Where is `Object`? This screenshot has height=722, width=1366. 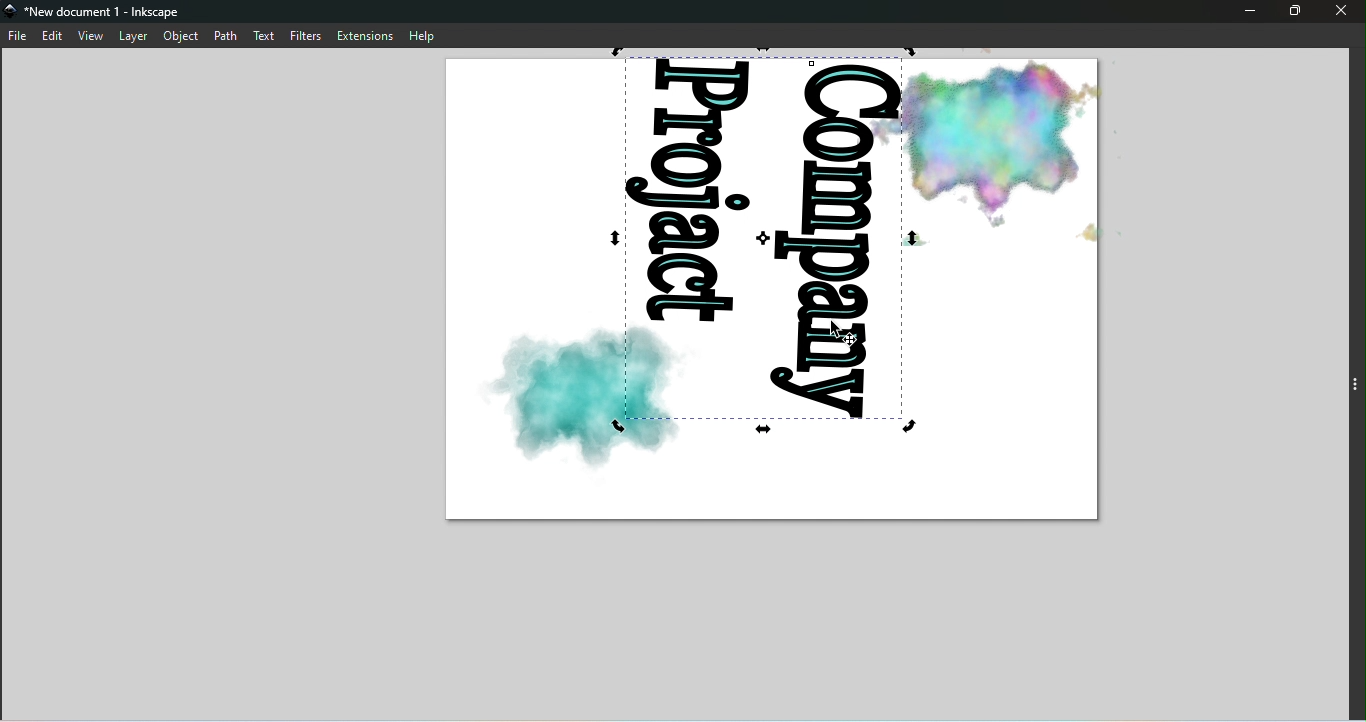 Object is located at coordinates (181, 37).